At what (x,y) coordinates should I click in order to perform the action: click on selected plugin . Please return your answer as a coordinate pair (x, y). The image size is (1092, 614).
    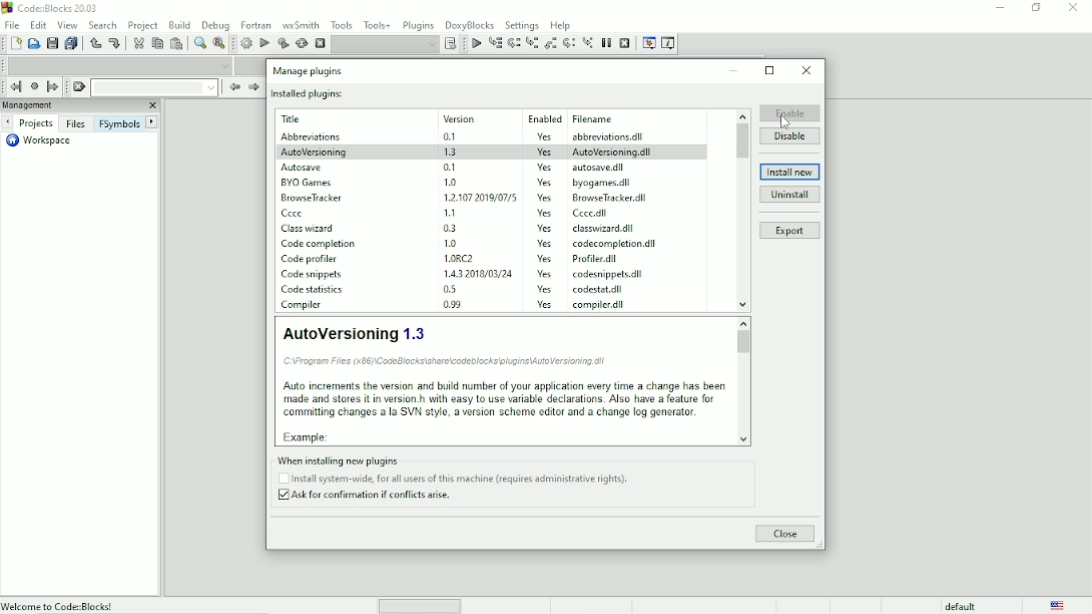
    Looking at the image, I should click on (492, 151).